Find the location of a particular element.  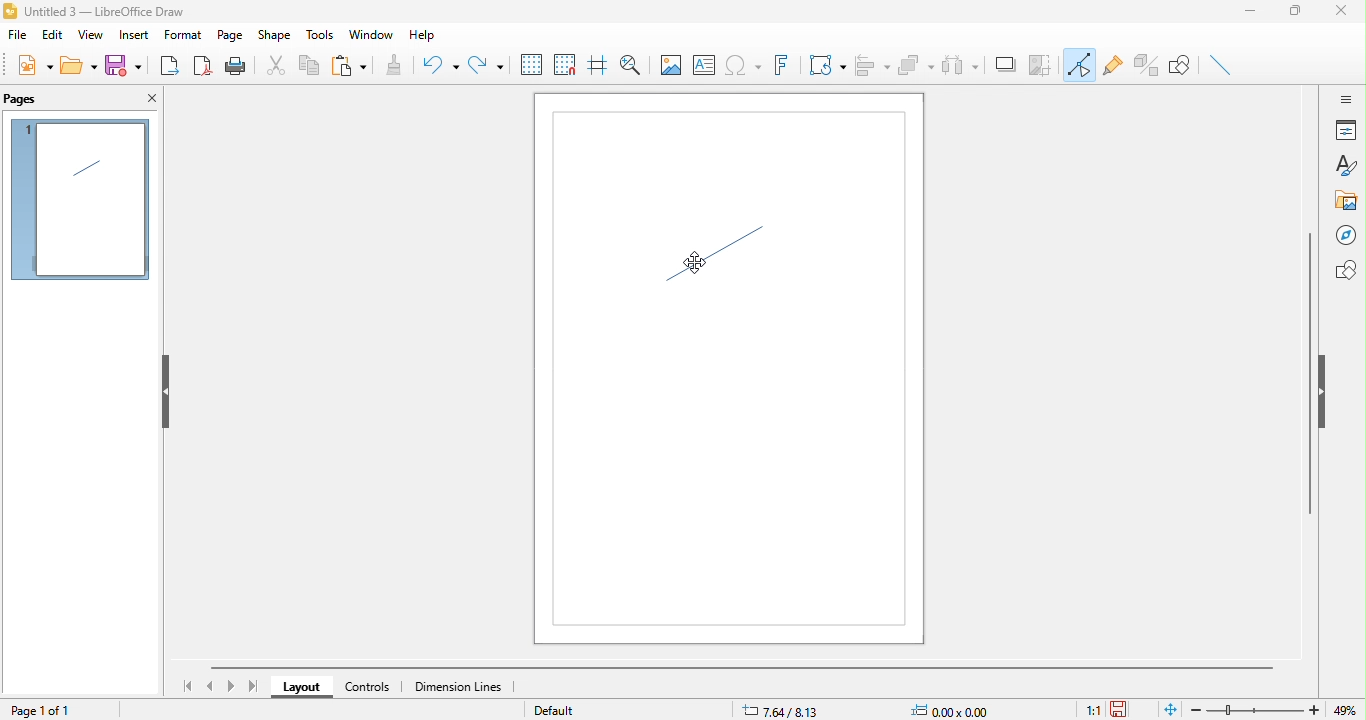

minimize is located at coordinates (1255, 14).